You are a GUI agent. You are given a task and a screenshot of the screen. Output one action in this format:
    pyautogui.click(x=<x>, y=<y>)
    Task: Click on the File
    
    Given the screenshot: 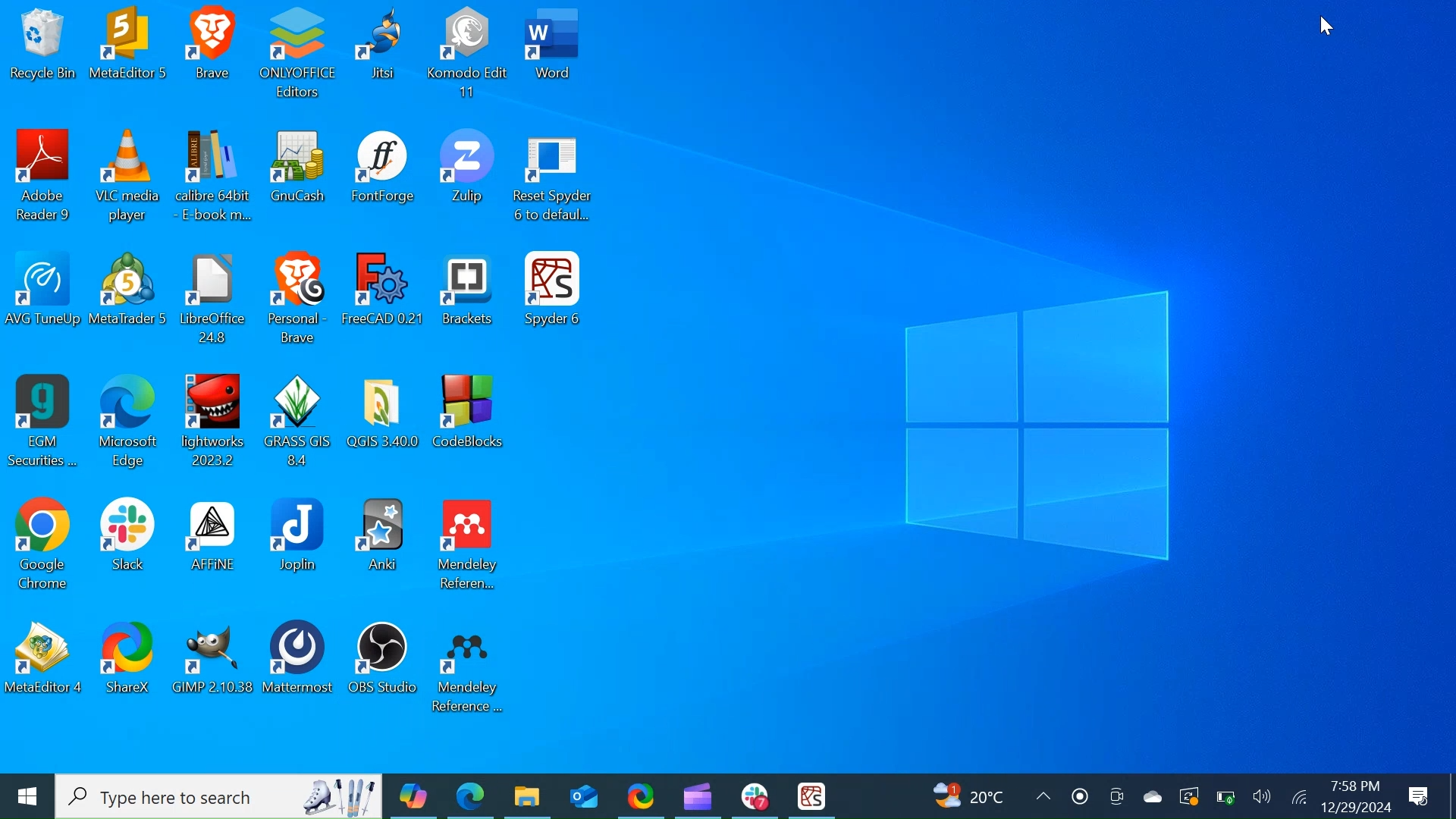 What is the action you would take?
    pyautogui.click(x=216, y=298)
    